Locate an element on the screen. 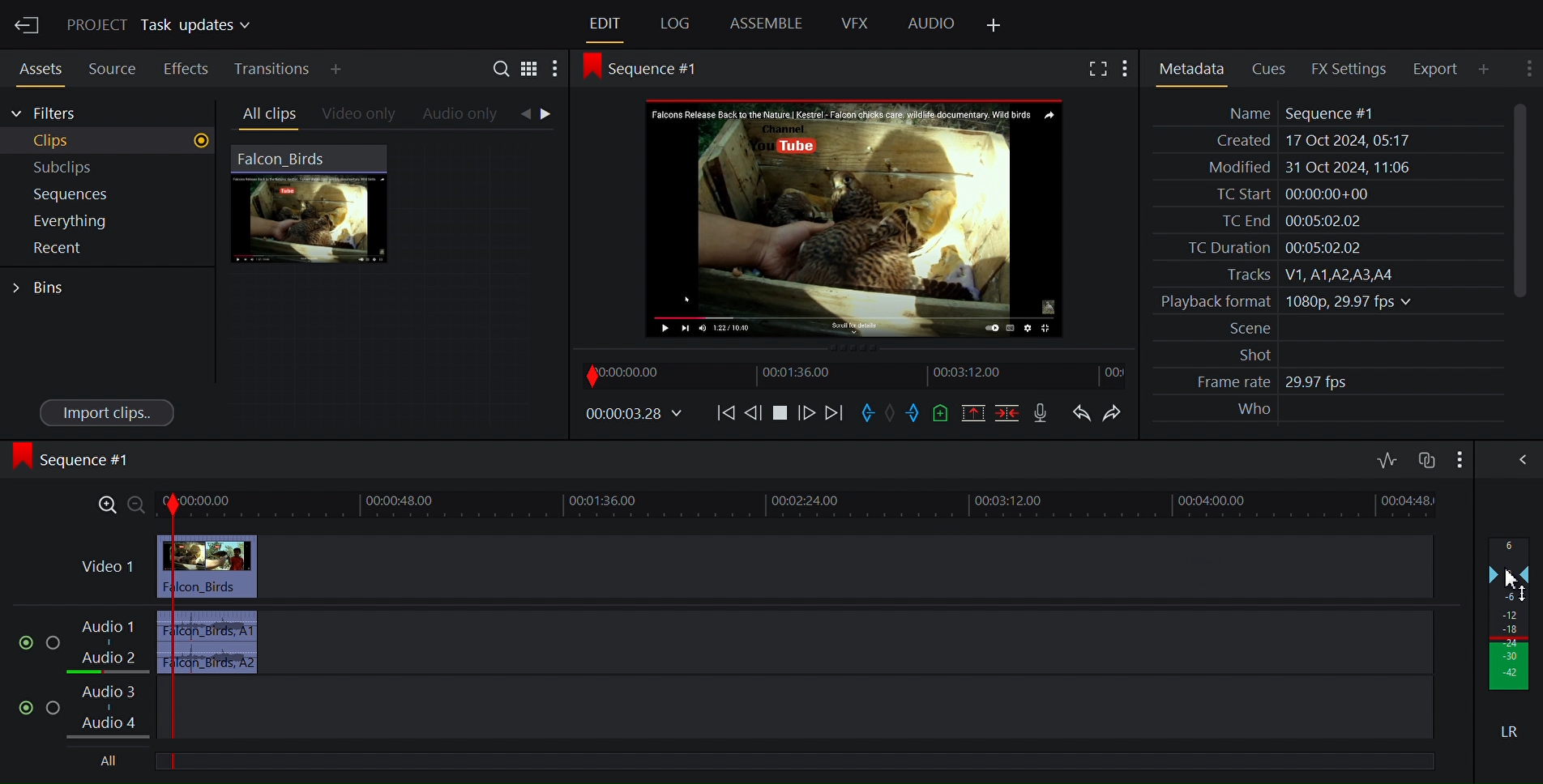 This screenshot has height=784, width=1543. Show settings menu is located at coordinates (557, 67).